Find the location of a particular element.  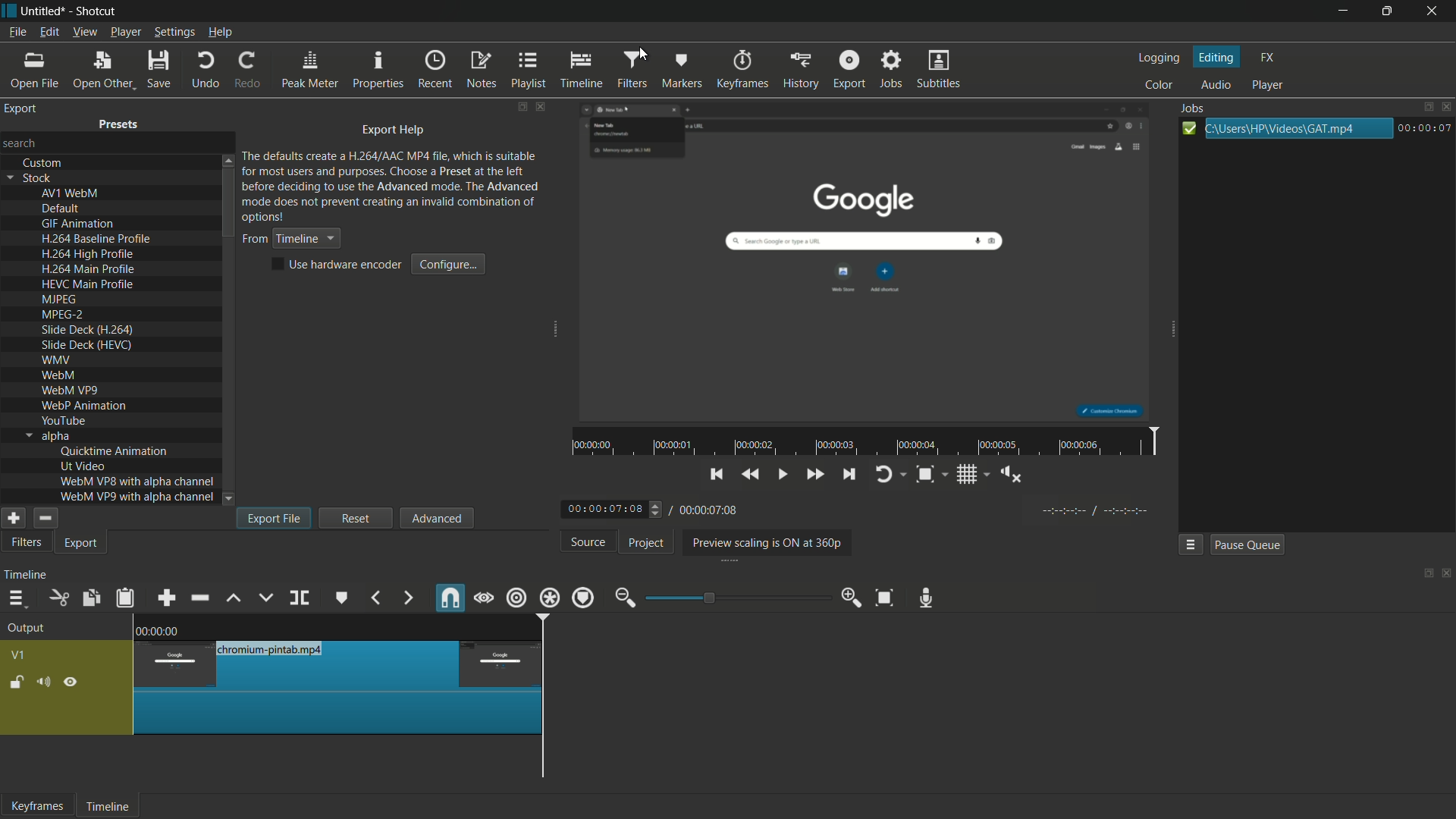

folder-1 is located at coordinates (397, 175).